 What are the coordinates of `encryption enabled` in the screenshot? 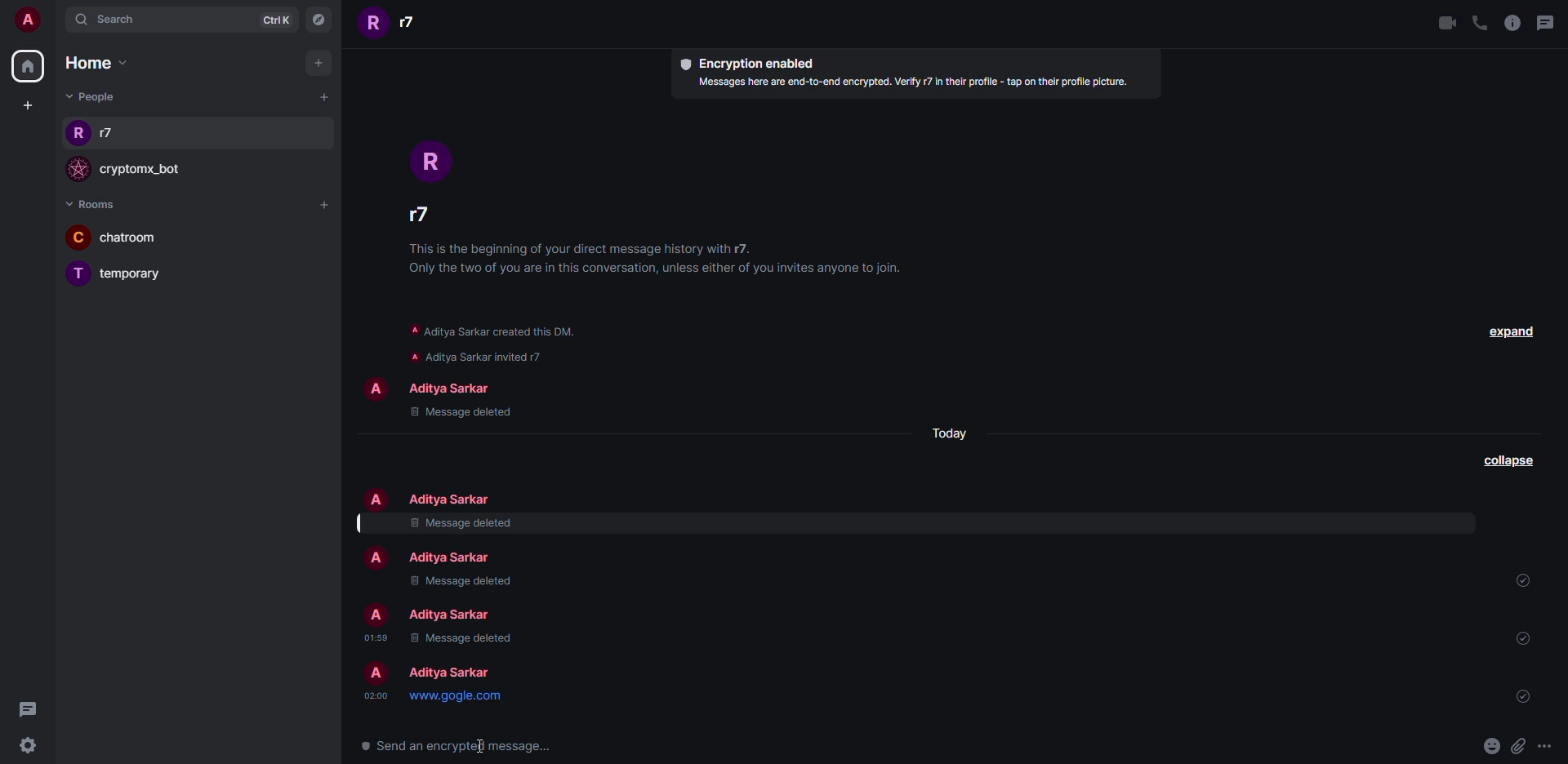 It's located at (744, 63).